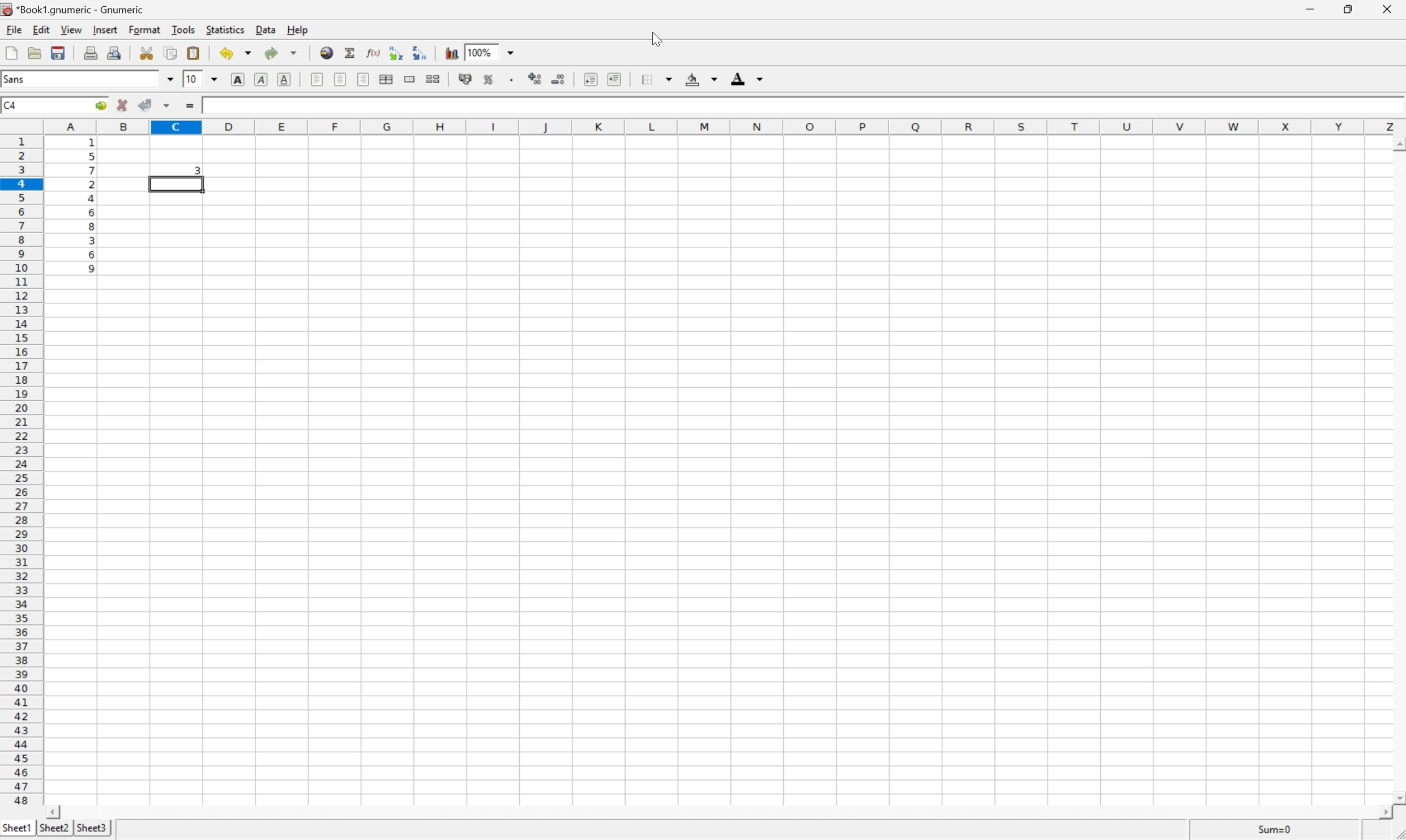 Image resolution: width=1406 pixels, height=840 pixels. I want to click on minimize, so click(1315, 10).